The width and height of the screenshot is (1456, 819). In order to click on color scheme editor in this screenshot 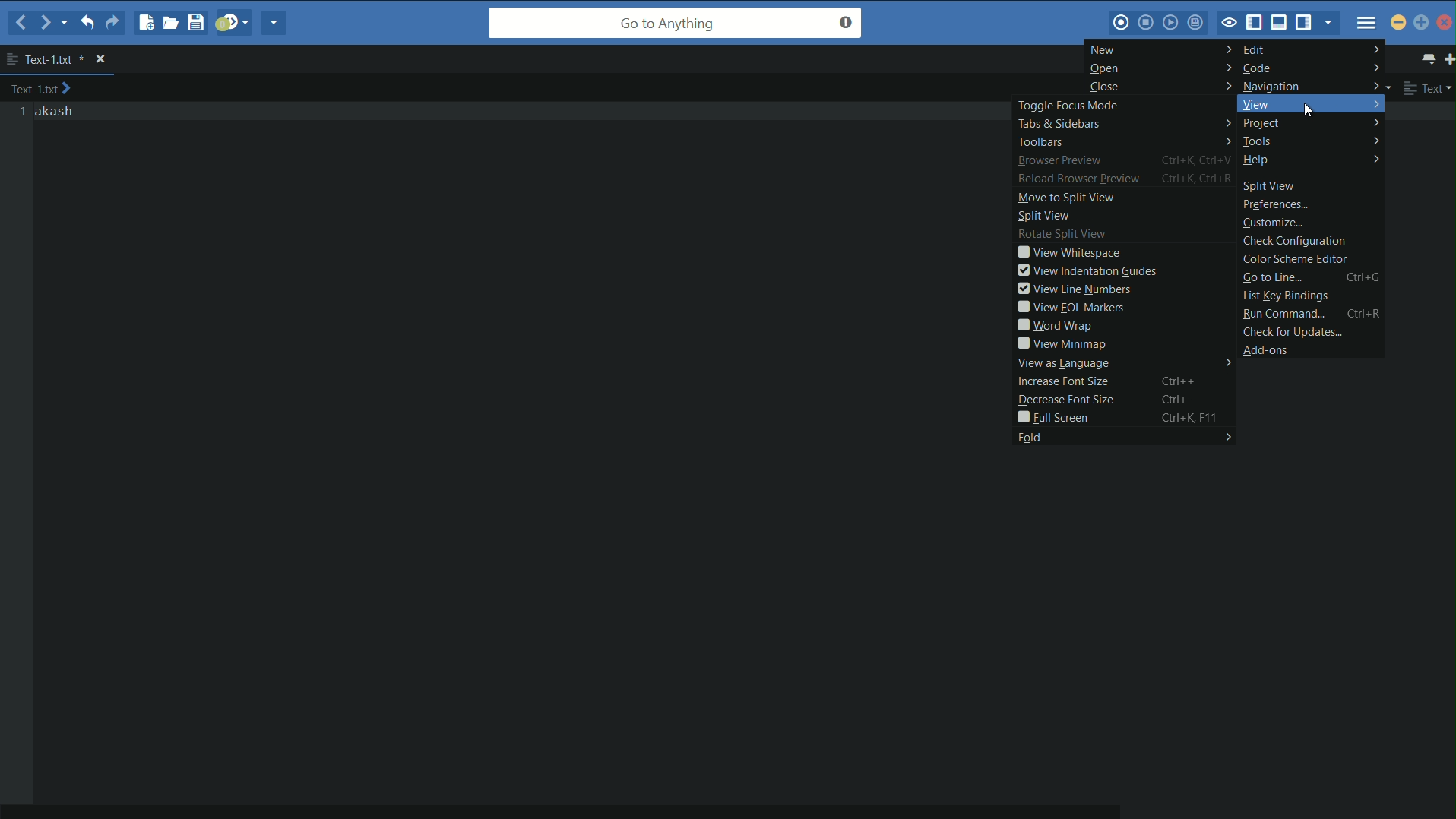, I will do `click(1312, 259)`.